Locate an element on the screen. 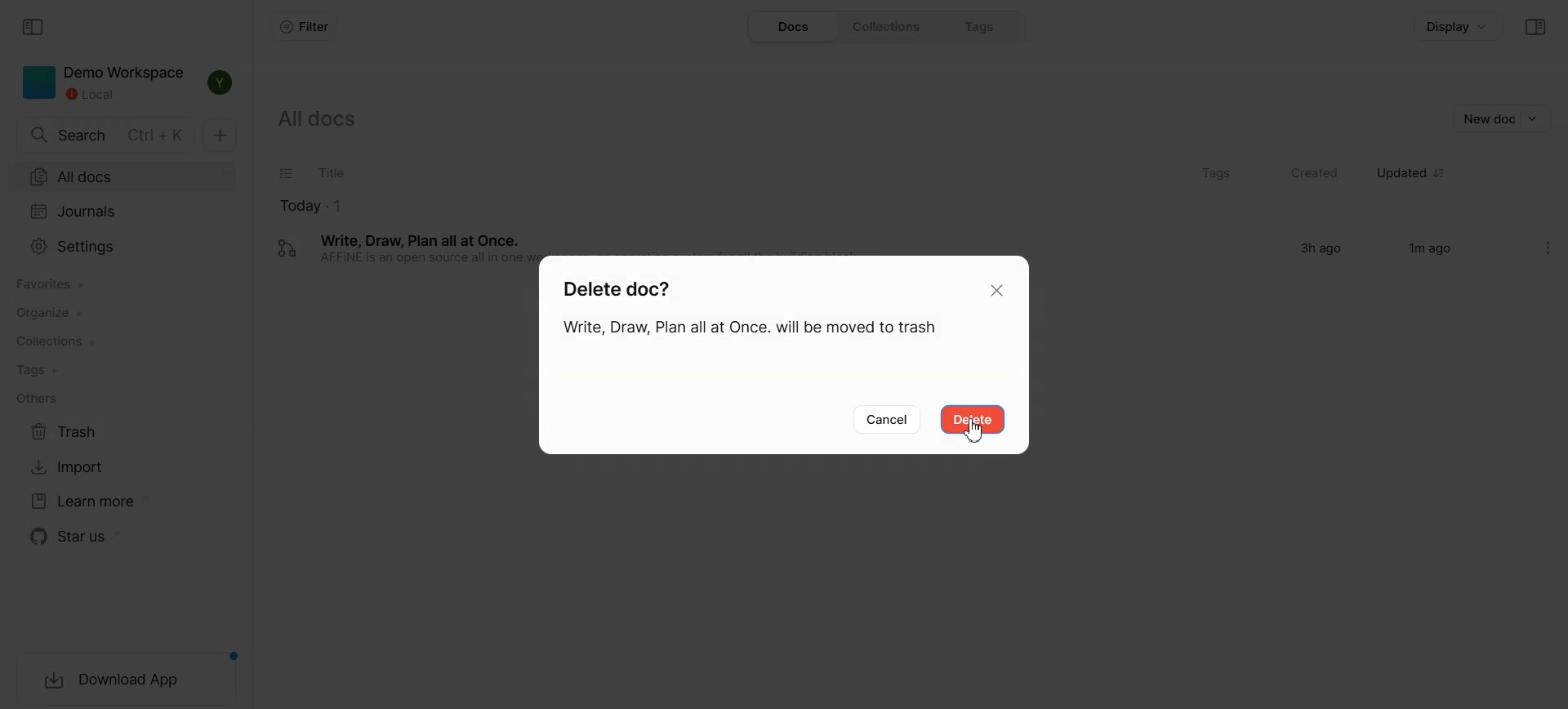 Image resolution: width=1568 pixels, height=709 pixels. Tags is located at coordinates (1214, 174).